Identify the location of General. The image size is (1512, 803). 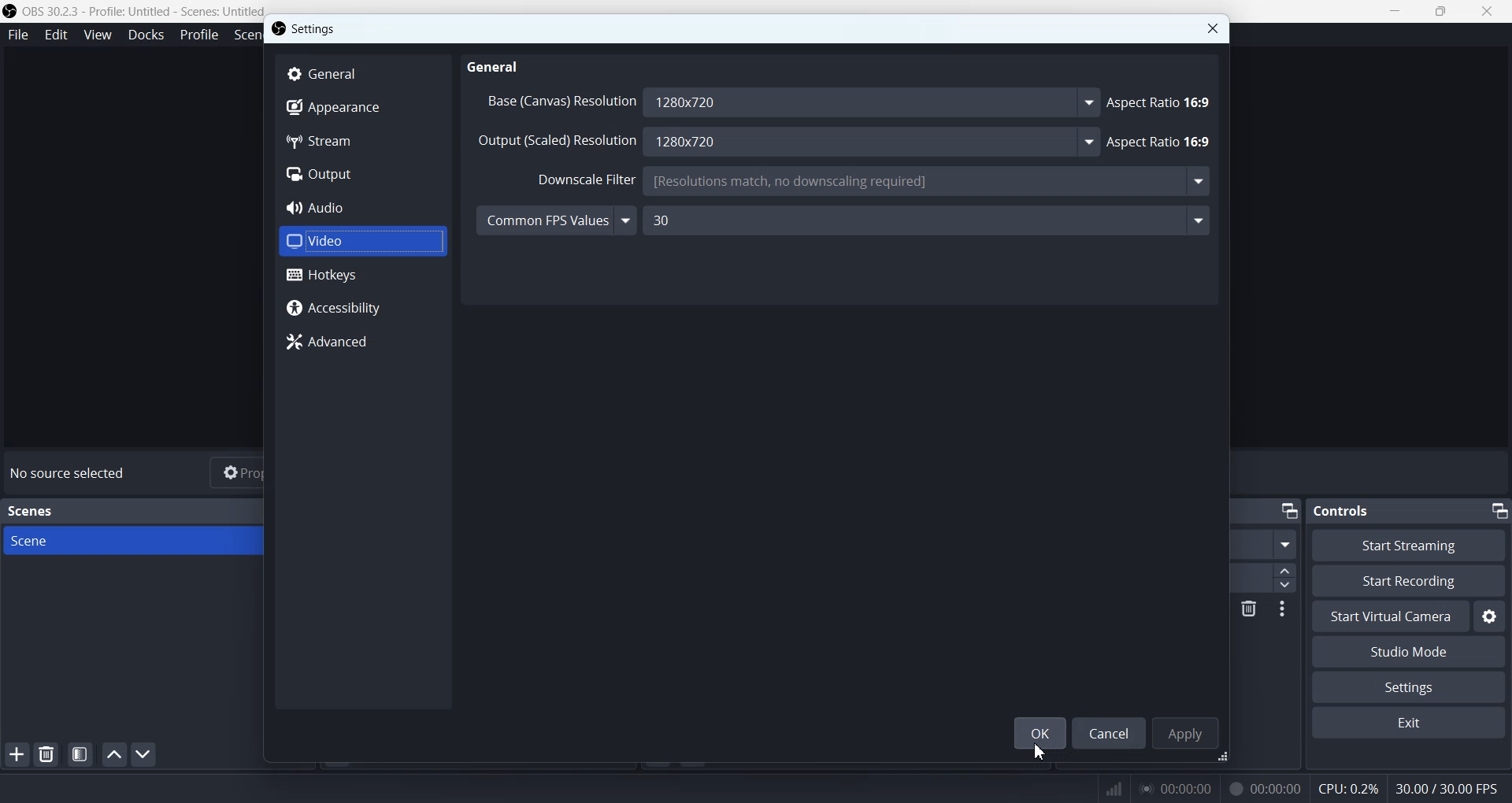
(495, 68).